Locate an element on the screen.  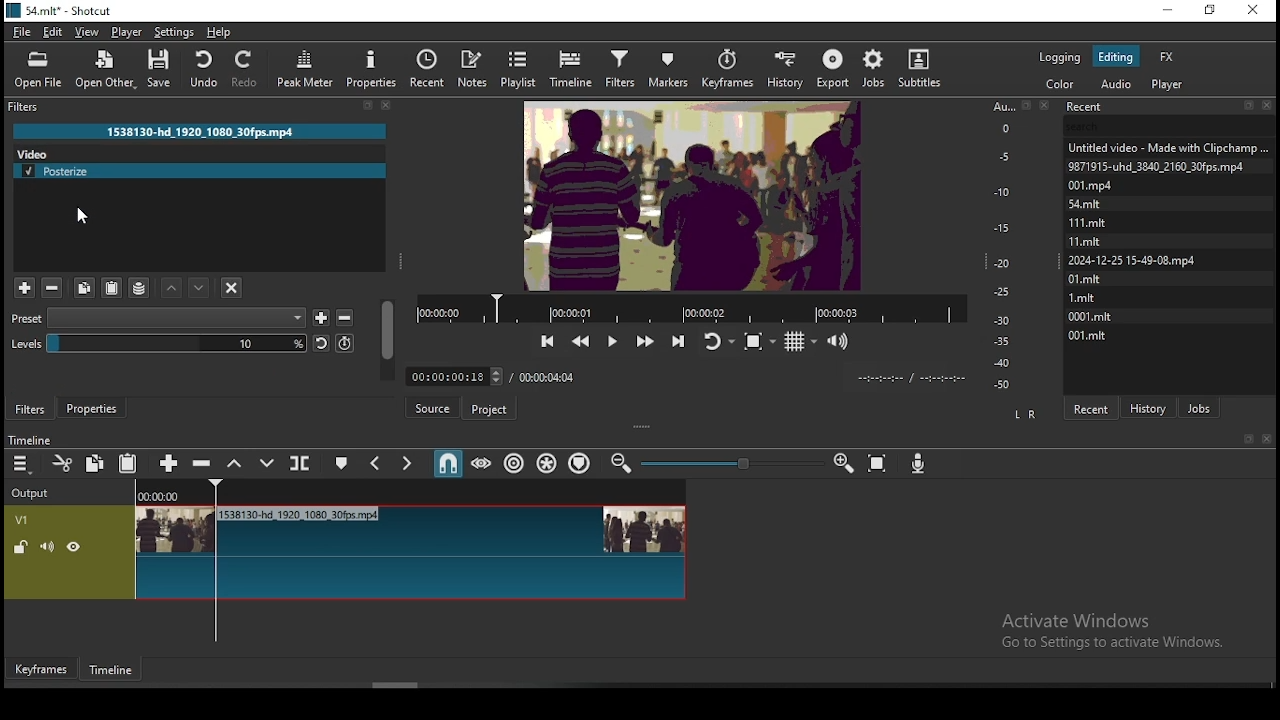
toggle grid display on the player is located at coordinates (798, 339).